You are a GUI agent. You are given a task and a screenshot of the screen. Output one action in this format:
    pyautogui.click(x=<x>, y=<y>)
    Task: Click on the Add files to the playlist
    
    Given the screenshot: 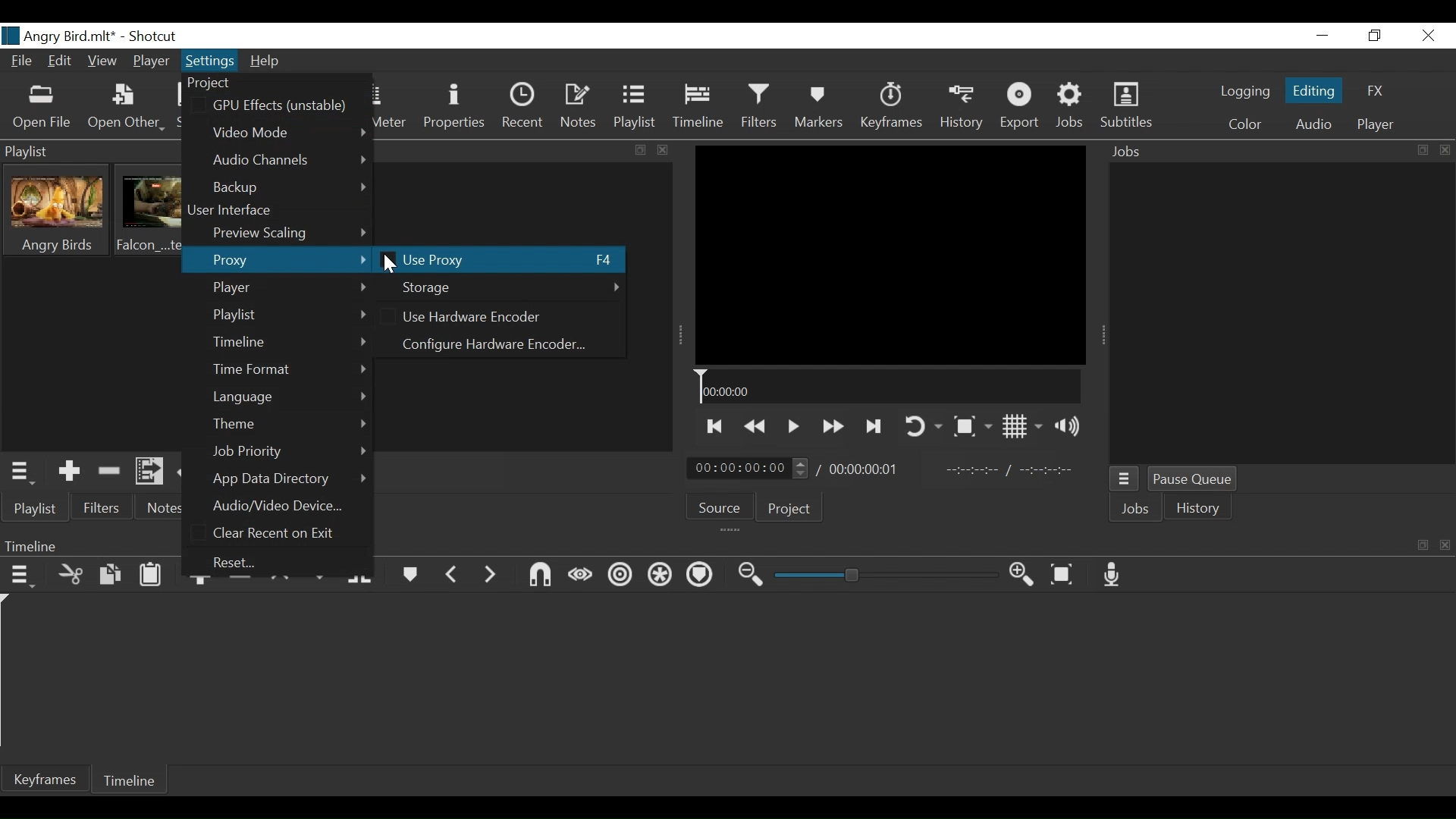 What is the action you would take?
    pyautogui.click(x=149, y=471)
    